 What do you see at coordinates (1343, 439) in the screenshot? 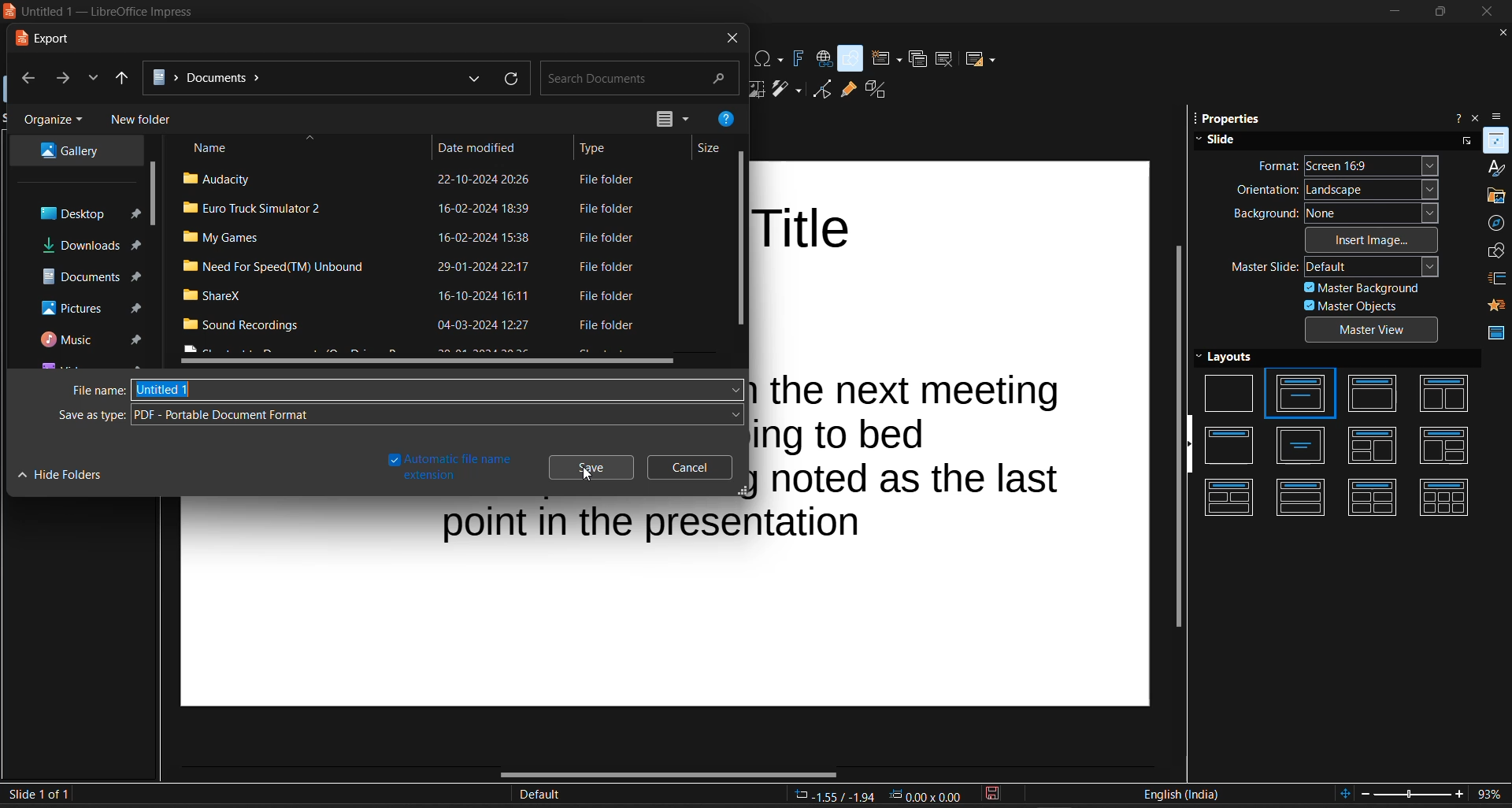
I see `layouts` at bounding box center [1343, 439].